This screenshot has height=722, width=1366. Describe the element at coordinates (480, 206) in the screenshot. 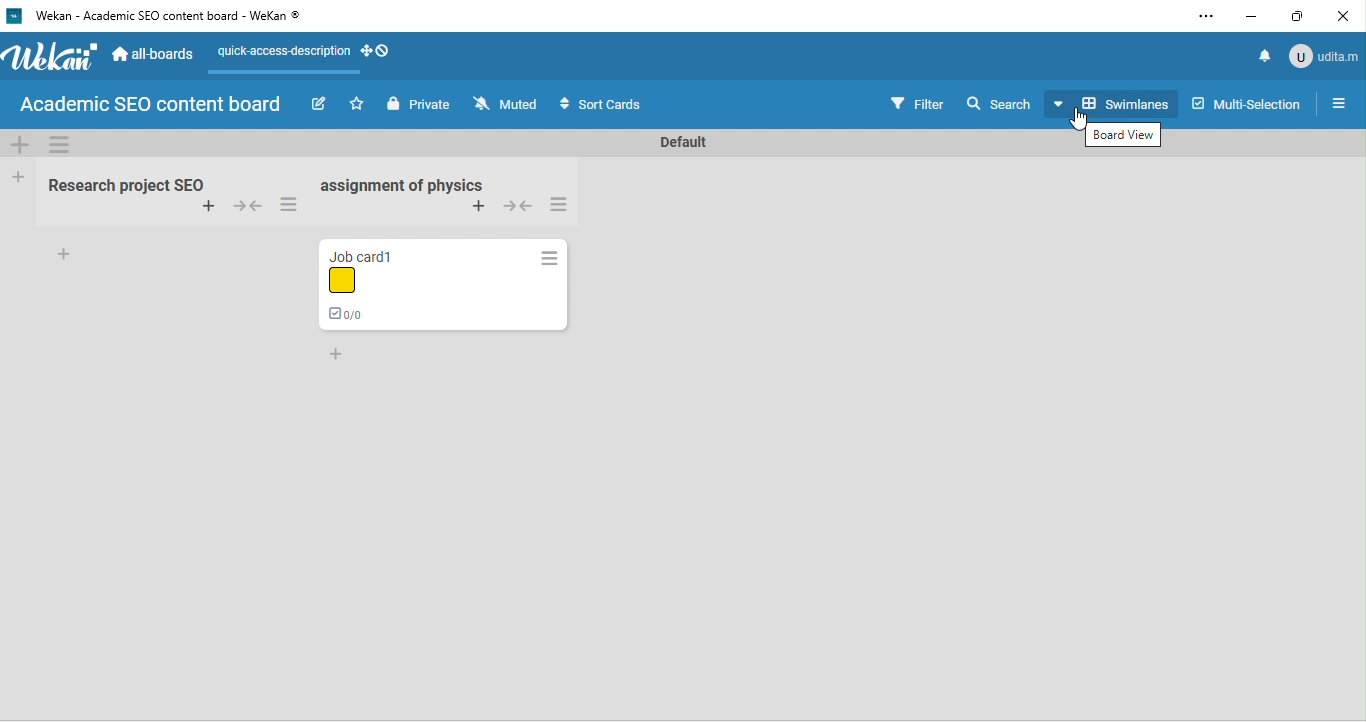

I see `add card to top of list` at that location.